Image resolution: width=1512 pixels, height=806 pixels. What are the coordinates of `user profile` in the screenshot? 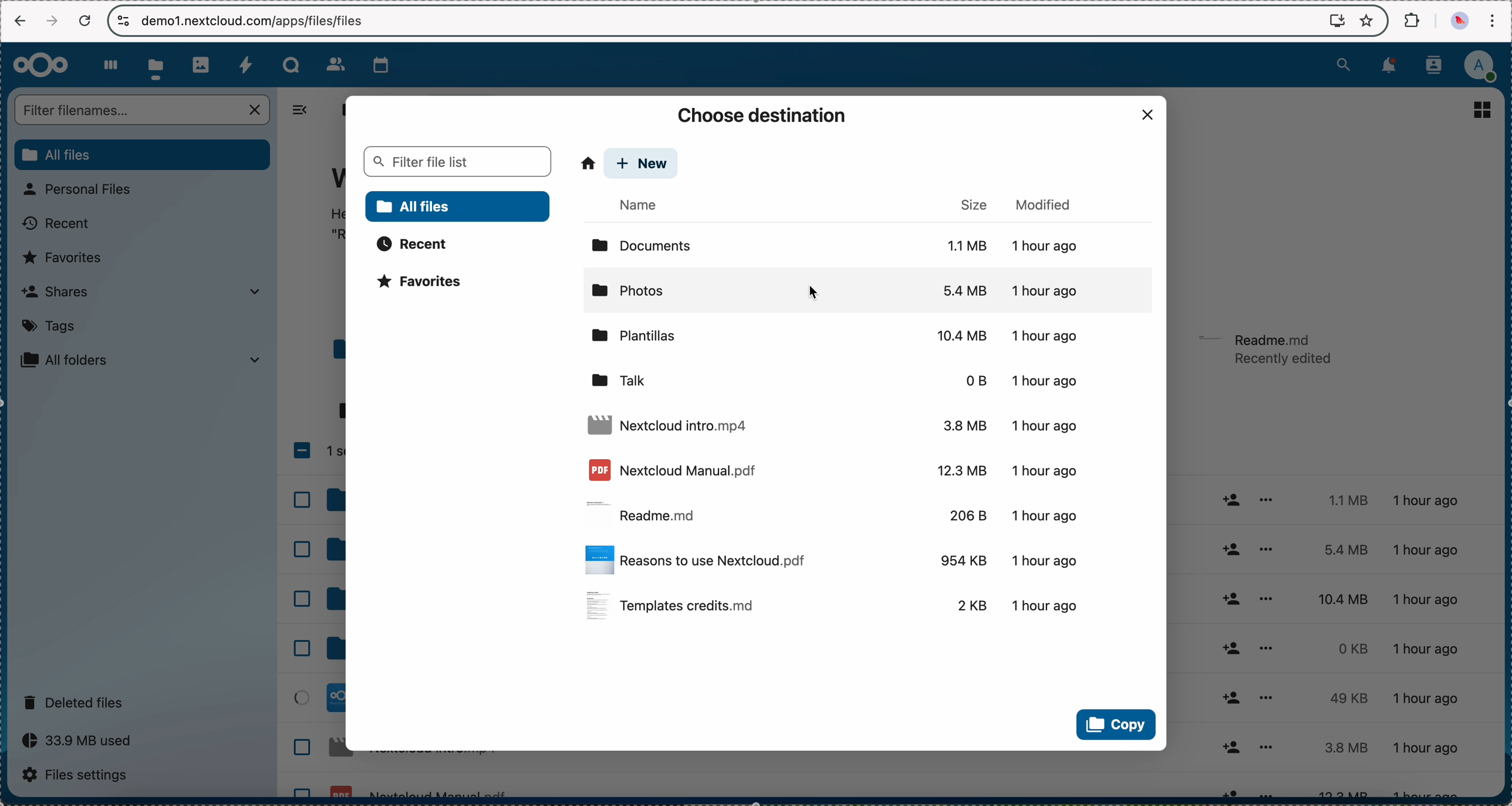 It's located at (1486, 66).